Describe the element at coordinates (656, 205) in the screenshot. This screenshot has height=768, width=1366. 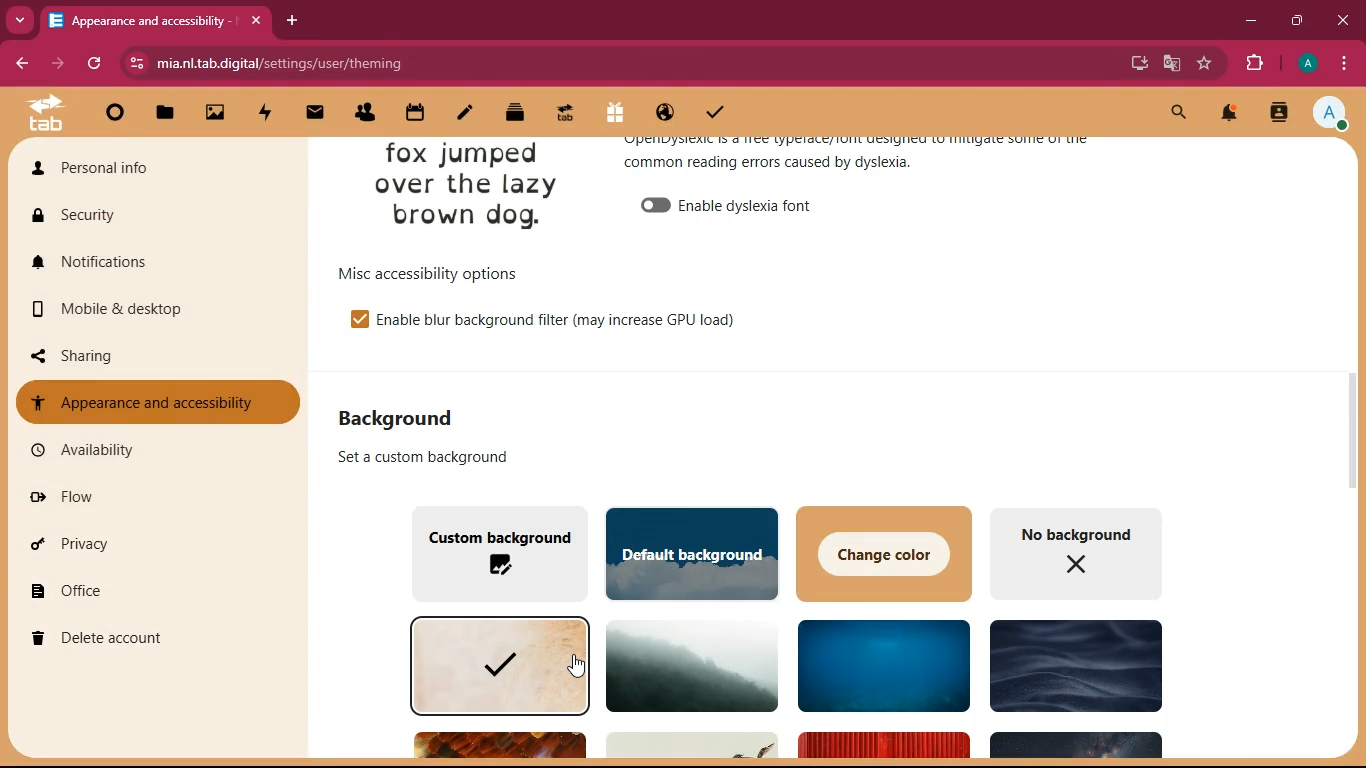
I see `off` at that location.